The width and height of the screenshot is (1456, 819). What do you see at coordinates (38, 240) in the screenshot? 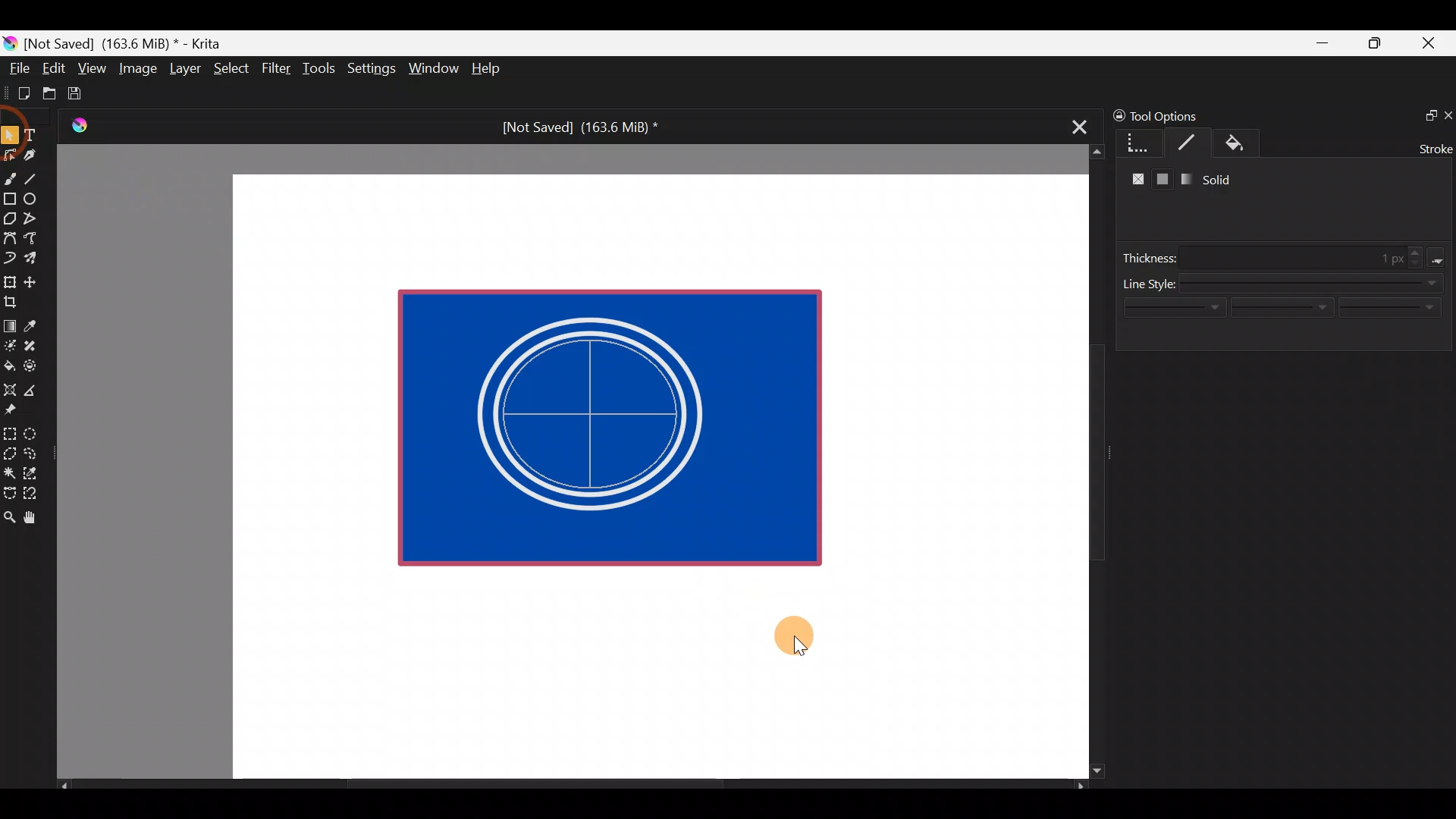
I see `Freehand path tool` at bounding box center [38, 240].